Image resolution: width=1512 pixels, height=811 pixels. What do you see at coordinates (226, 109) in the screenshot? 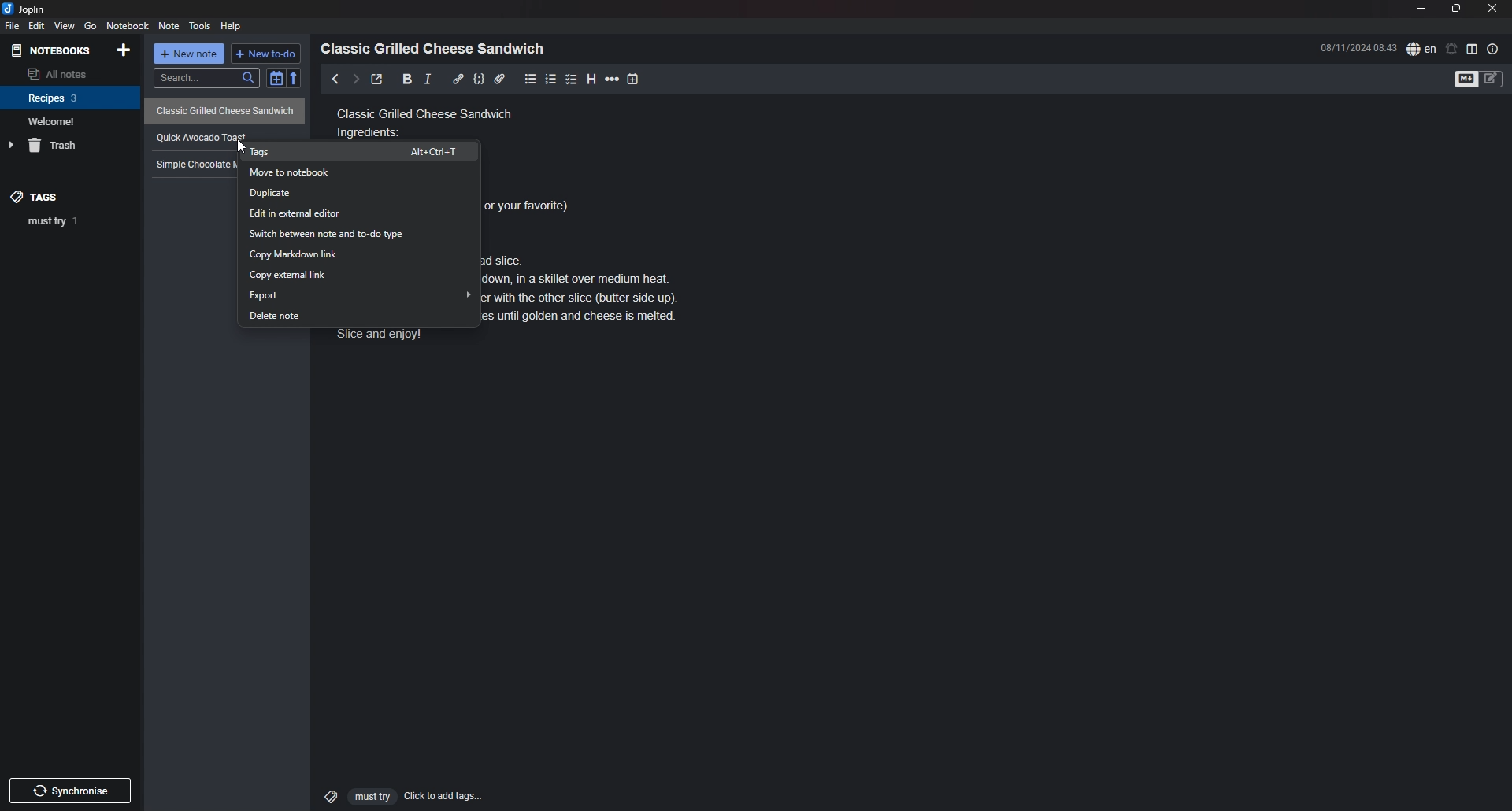
I see `Classic Grilled Cheese Sandwich` at bounding box center [226, 109].